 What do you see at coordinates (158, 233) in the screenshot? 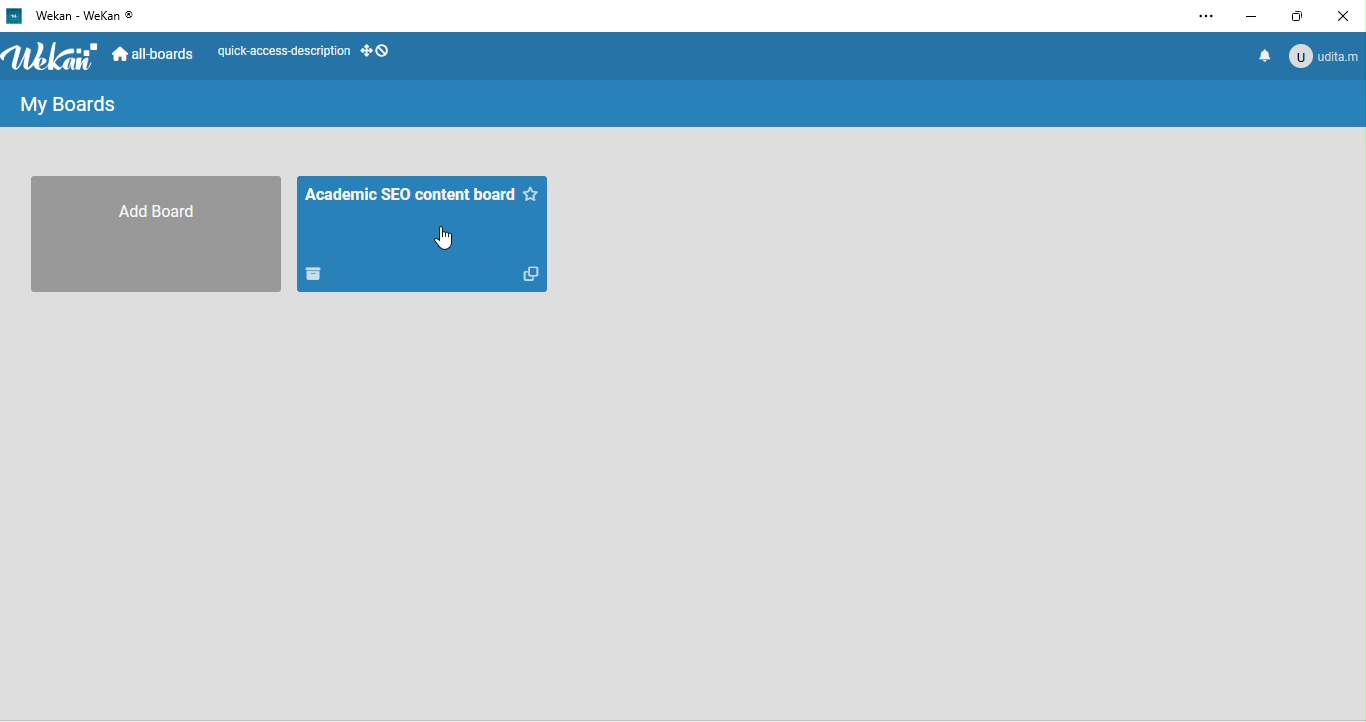
I see `add board` at bounding box center [158, 233].